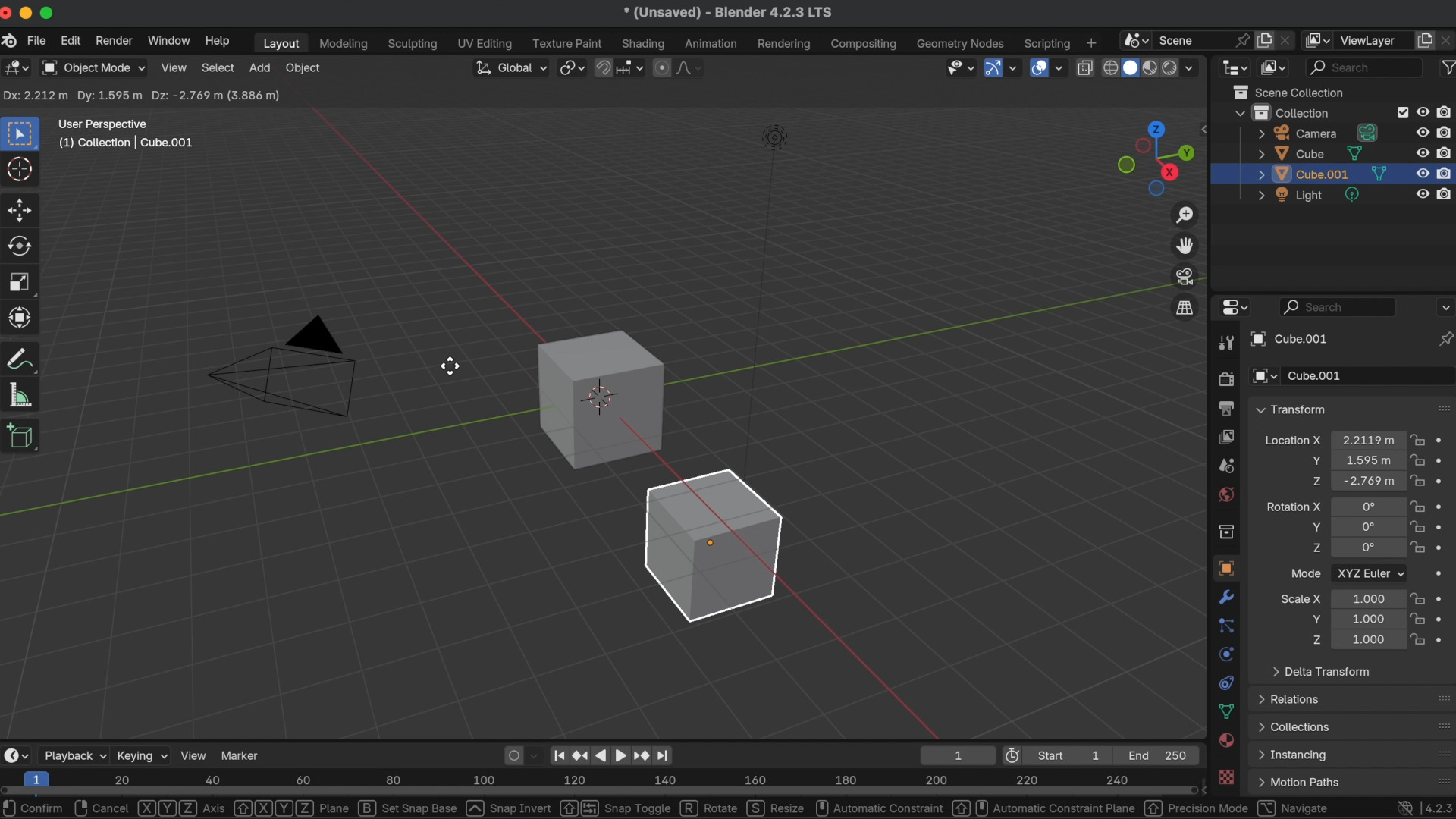 This screenshot has height=819, width=1456. What do you see at coordinates (1282, 112) in the screenshot?
I see `collection` at bounding box center [1282, 112].